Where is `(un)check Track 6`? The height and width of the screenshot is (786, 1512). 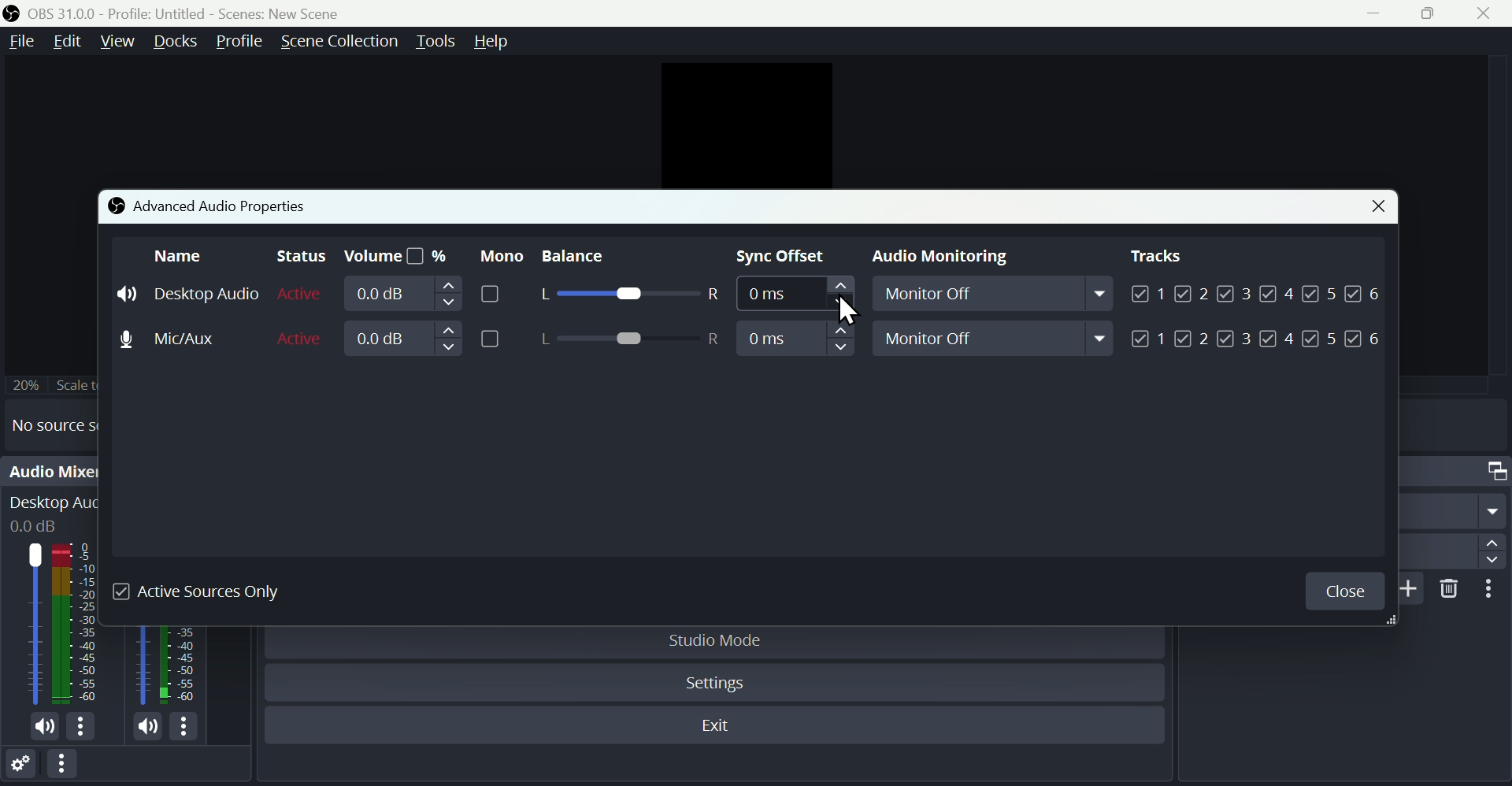 (un)check Track 6 is located at coordinates (1364, 339).